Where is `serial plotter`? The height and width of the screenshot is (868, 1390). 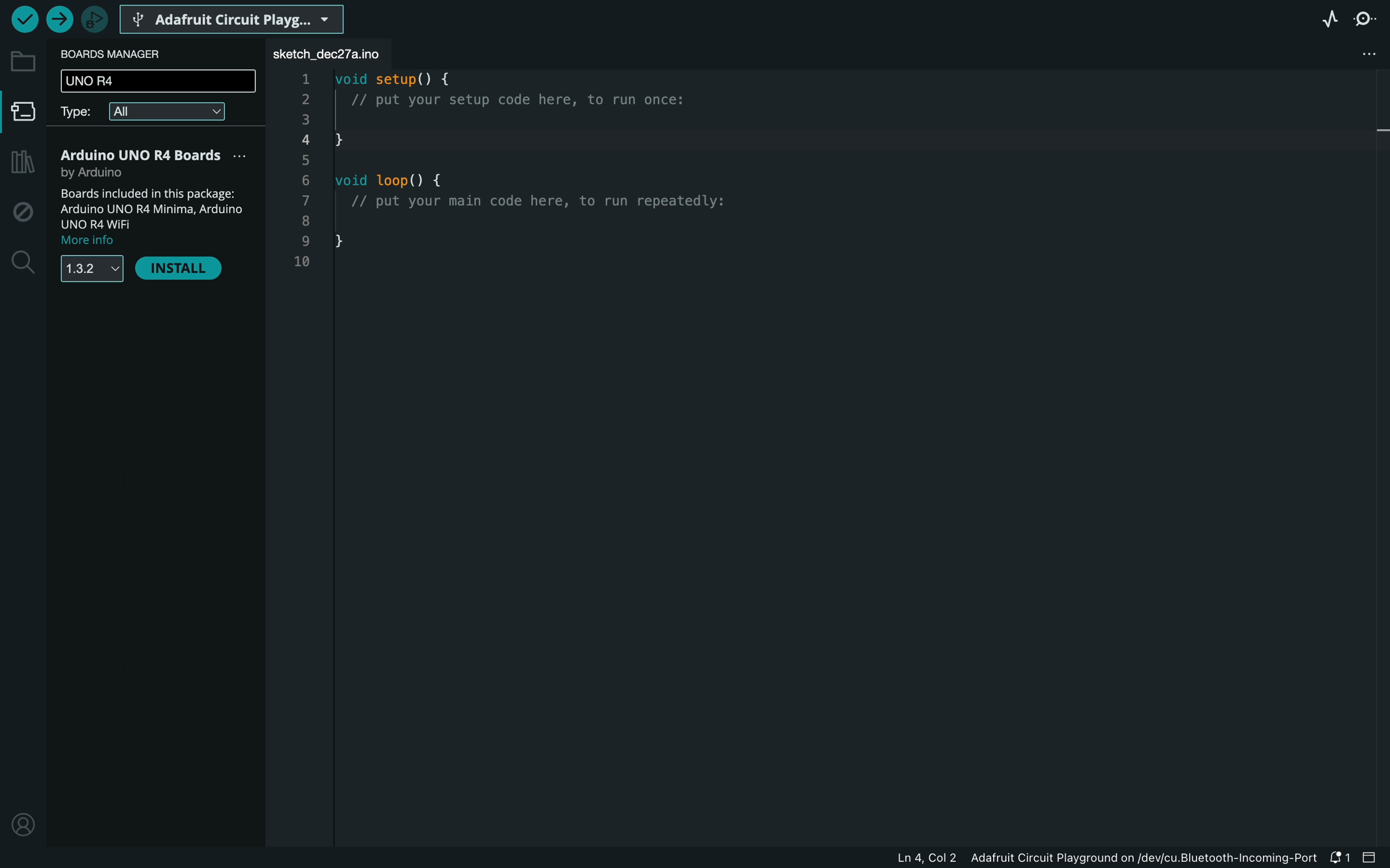 serial plotter is located at coordinates (1328, 22).